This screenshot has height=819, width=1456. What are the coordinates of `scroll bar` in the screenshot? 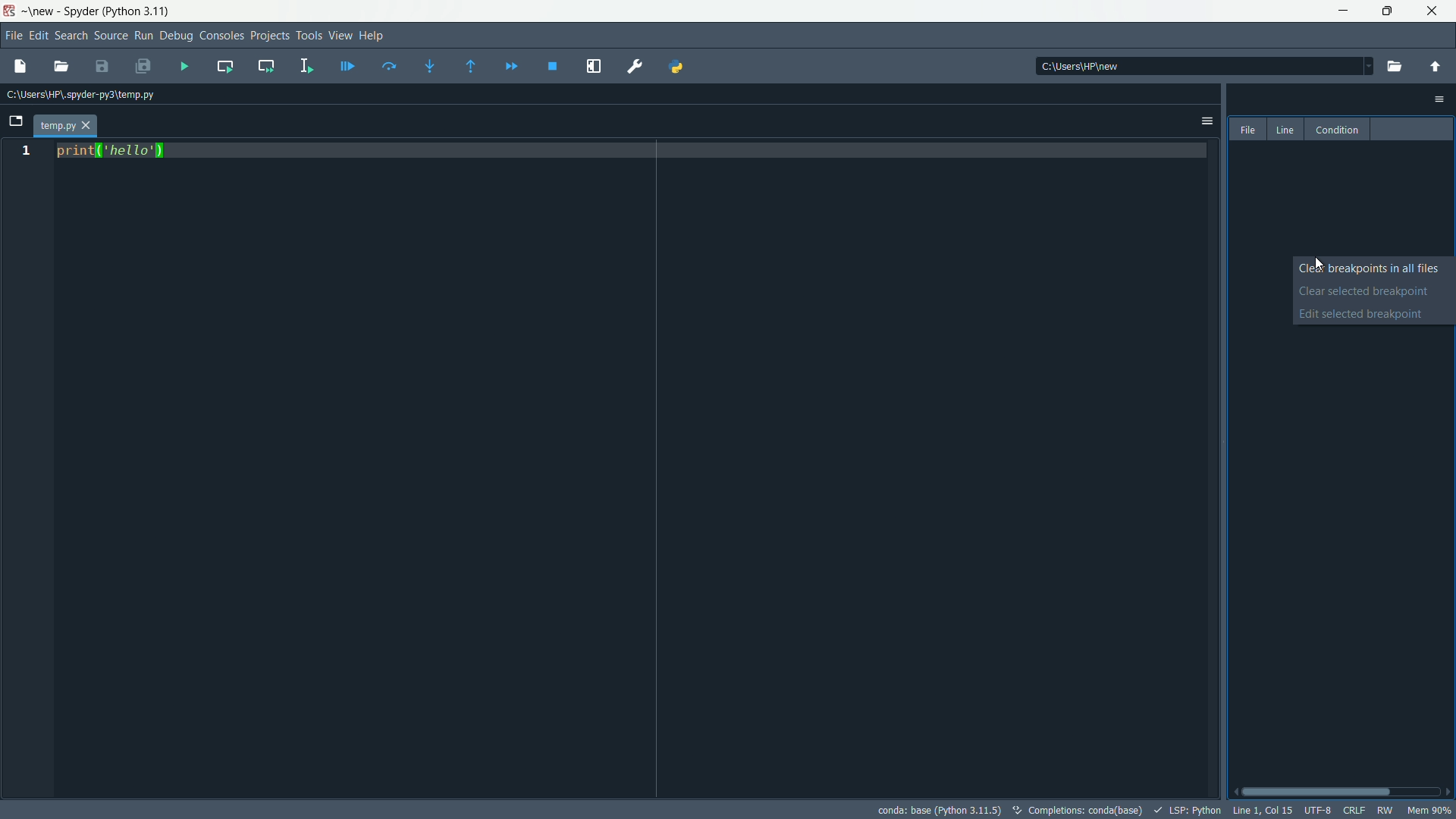 It's located at (1341, 792).